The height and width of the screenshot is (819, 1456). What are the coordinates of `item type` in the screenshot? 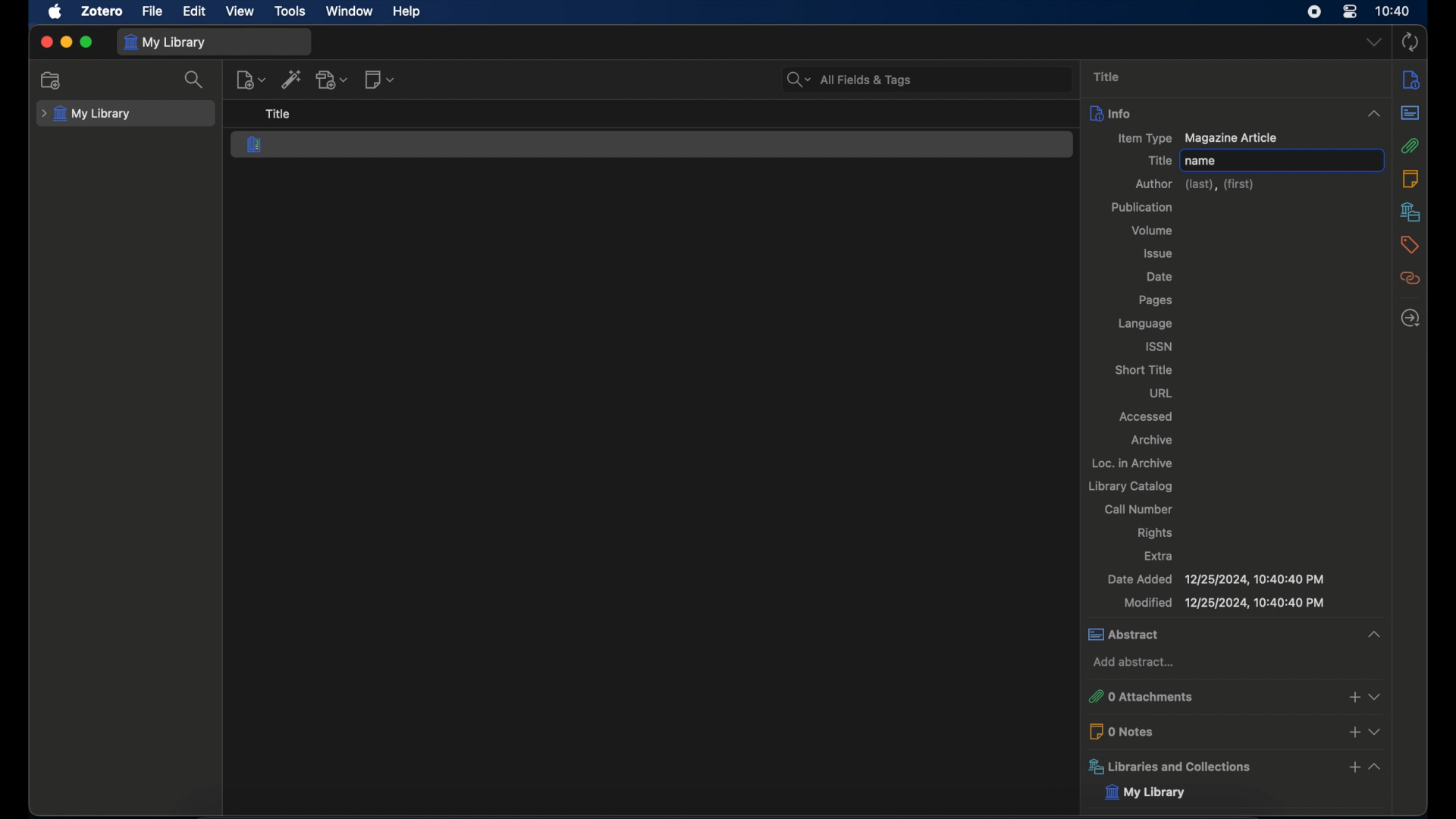 It's located at (1142, 140).